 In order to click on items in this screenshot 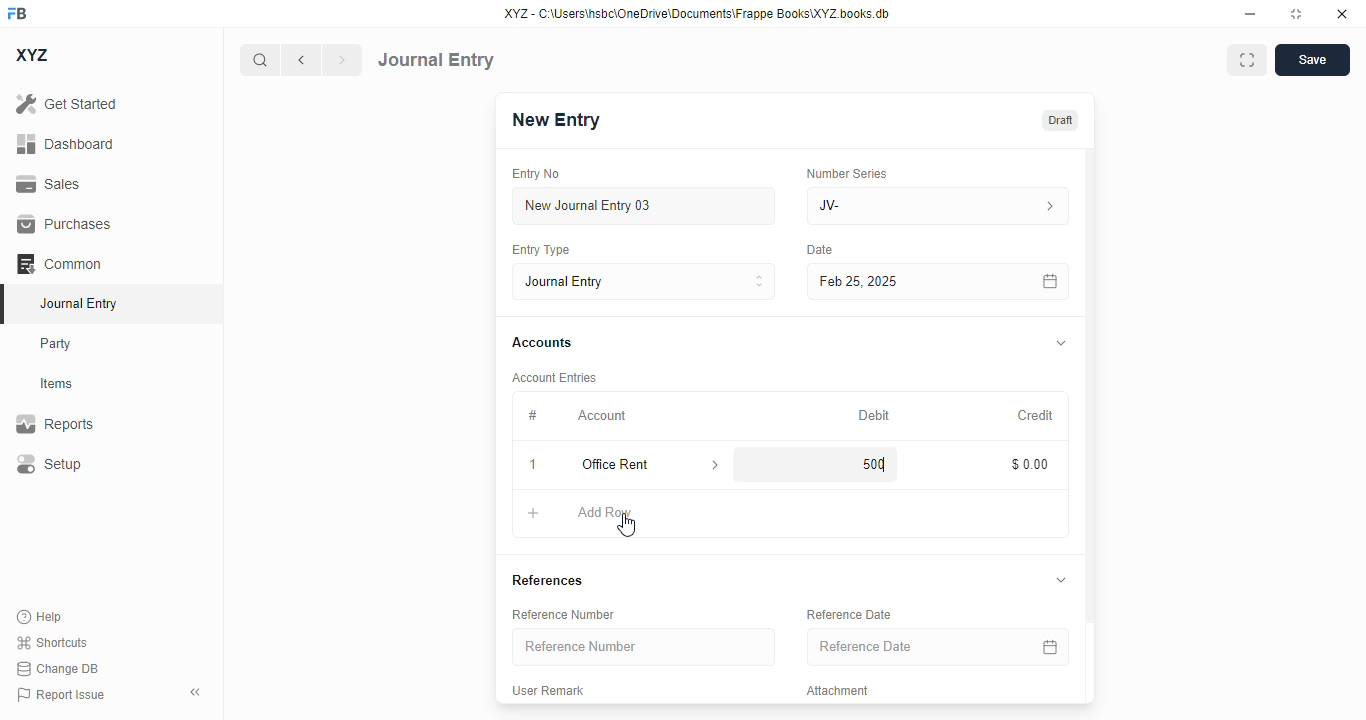, I will do `click(57, 384)`.